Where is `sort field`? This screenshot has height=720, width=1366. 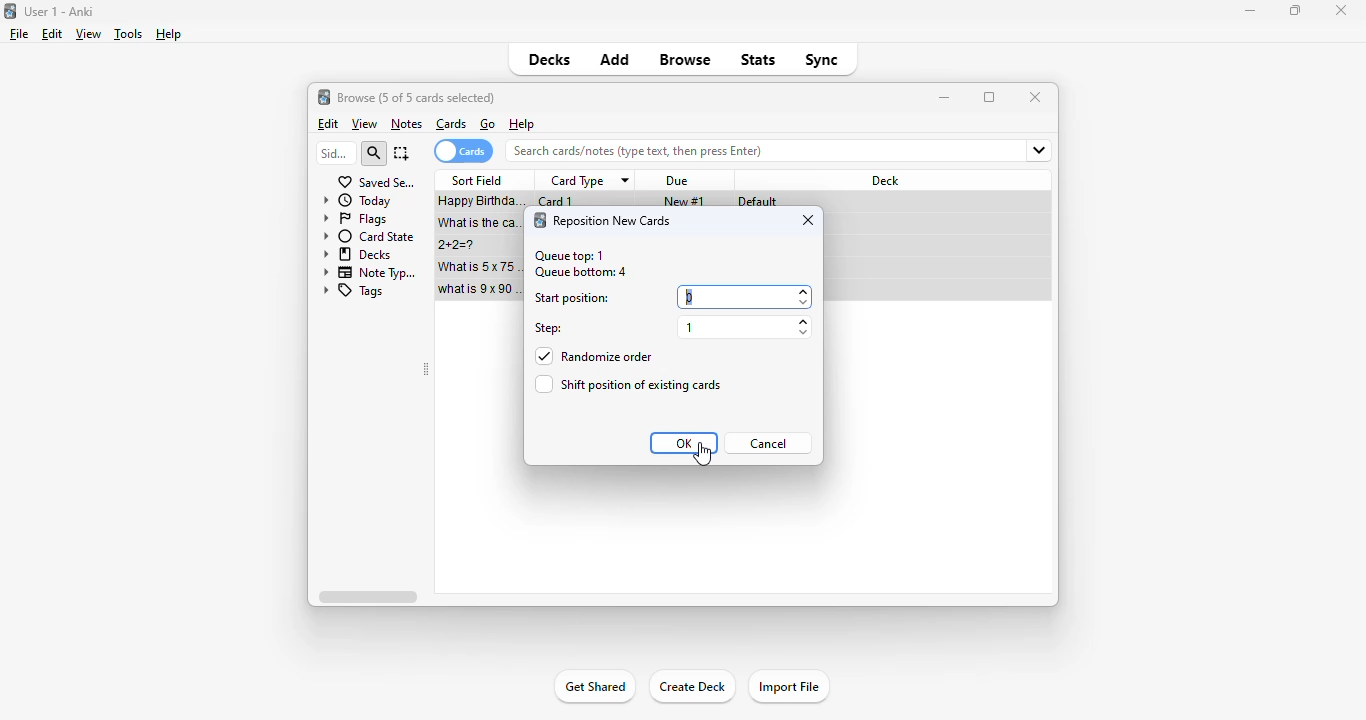
sort field is located at coordinates (477, 180).